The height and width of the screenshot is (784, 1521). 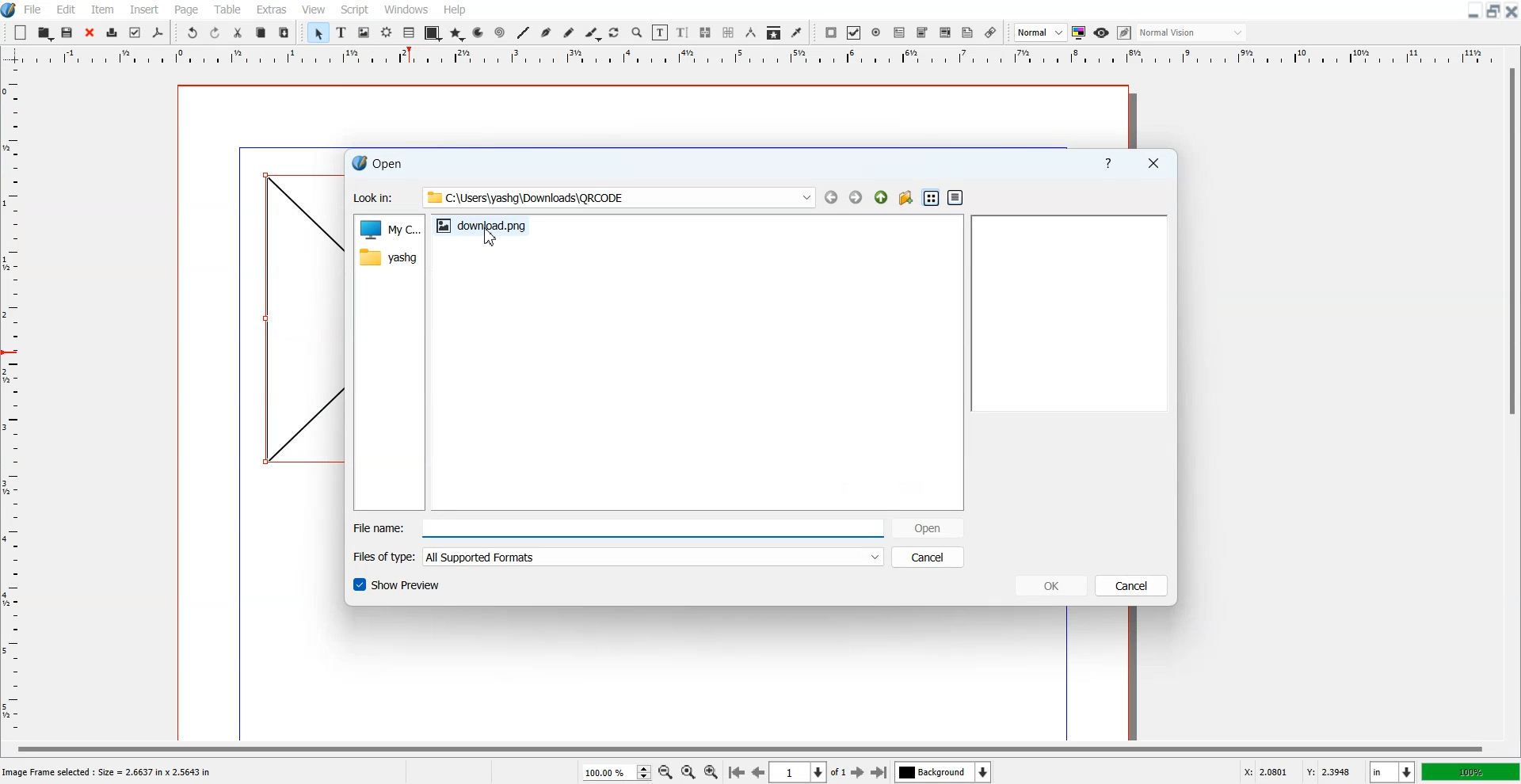 I want to click on Select the visual appearance, so click(x=1193, y=33).